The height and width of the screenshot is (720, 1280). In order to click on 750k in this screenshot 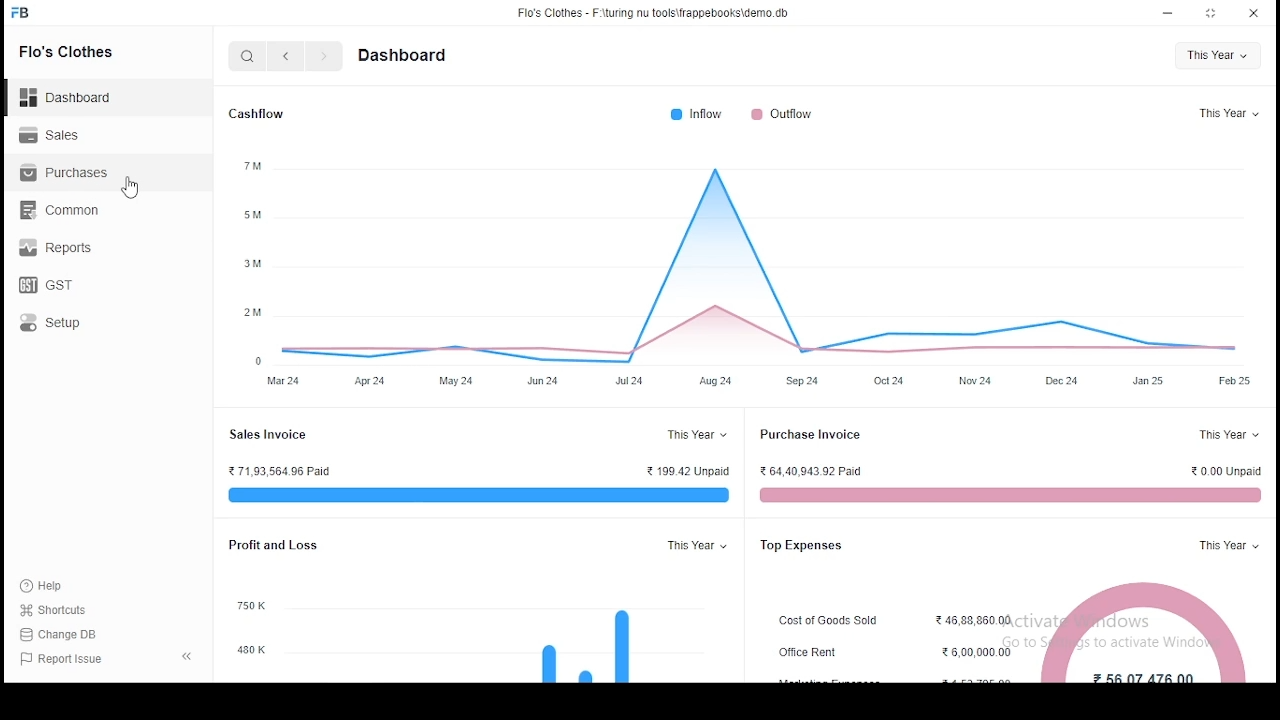, I will do `click(253, 607)`.